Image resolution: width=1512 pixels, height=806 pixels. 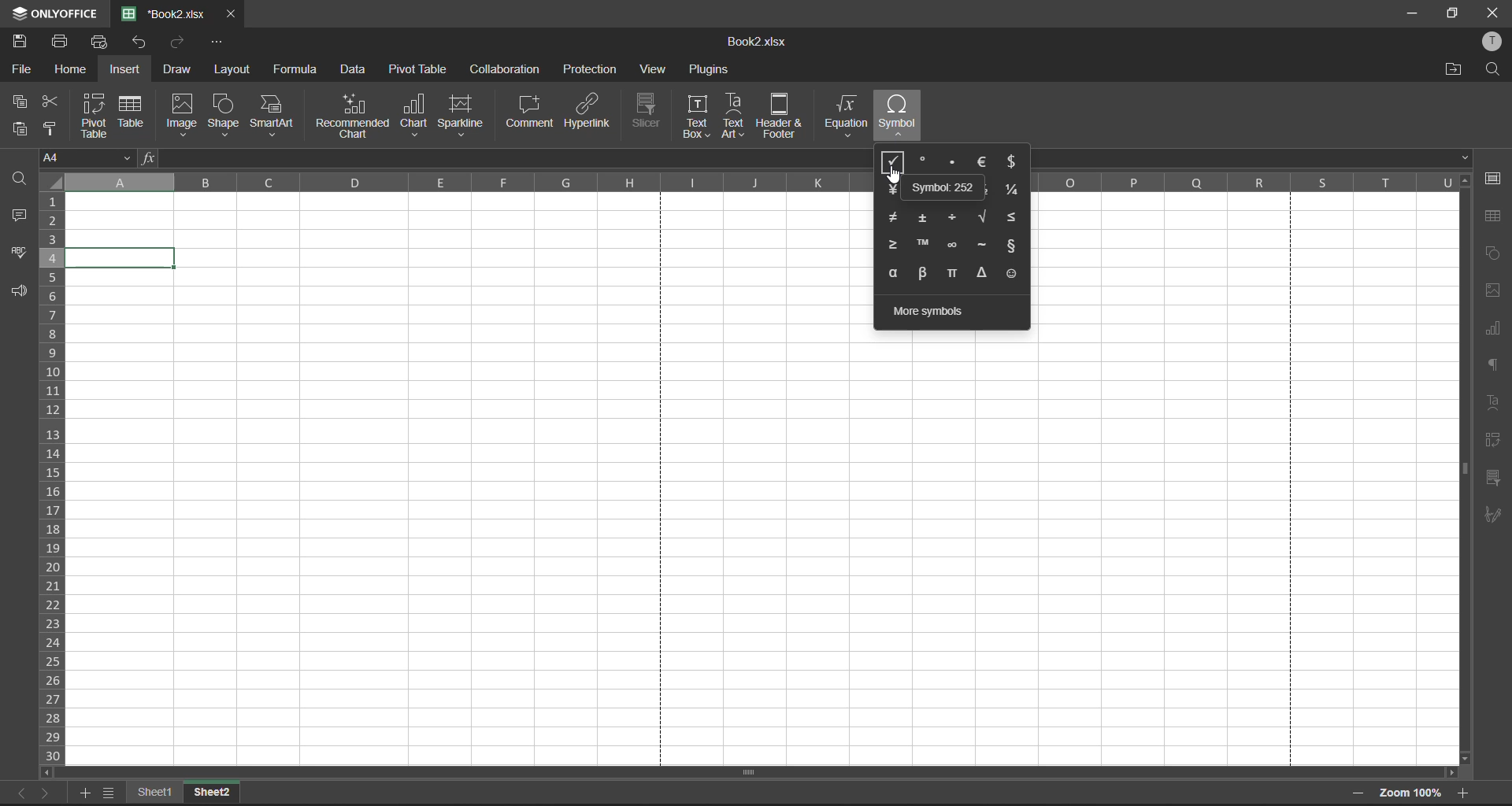 What do you see at coordinates (20, 255) in the screenshot?
I see `spellcheck` at bounding box center [20, 255].